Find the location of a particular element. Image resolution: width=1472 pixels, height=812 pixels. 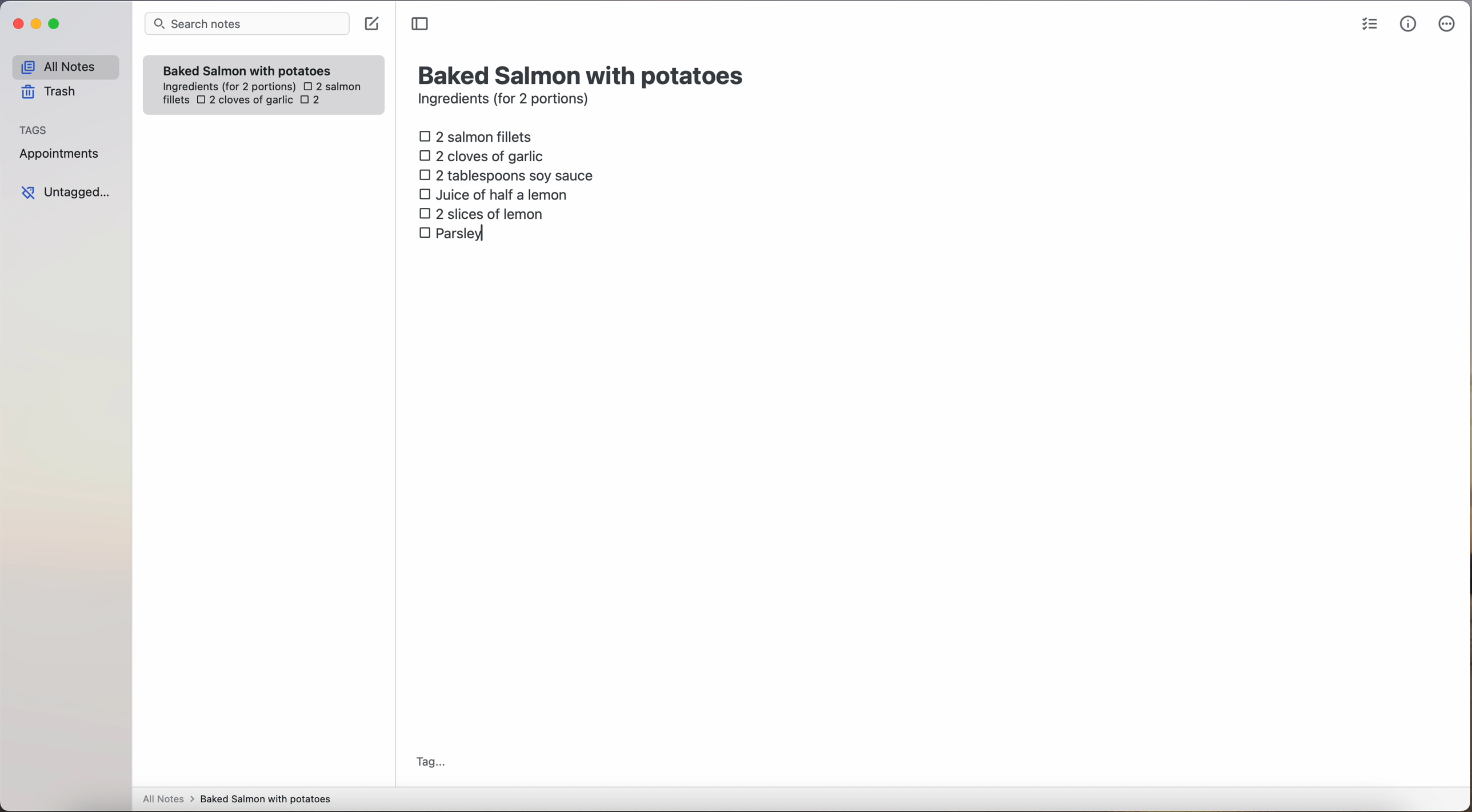

2 salmon is located at coordinates (331, 85).